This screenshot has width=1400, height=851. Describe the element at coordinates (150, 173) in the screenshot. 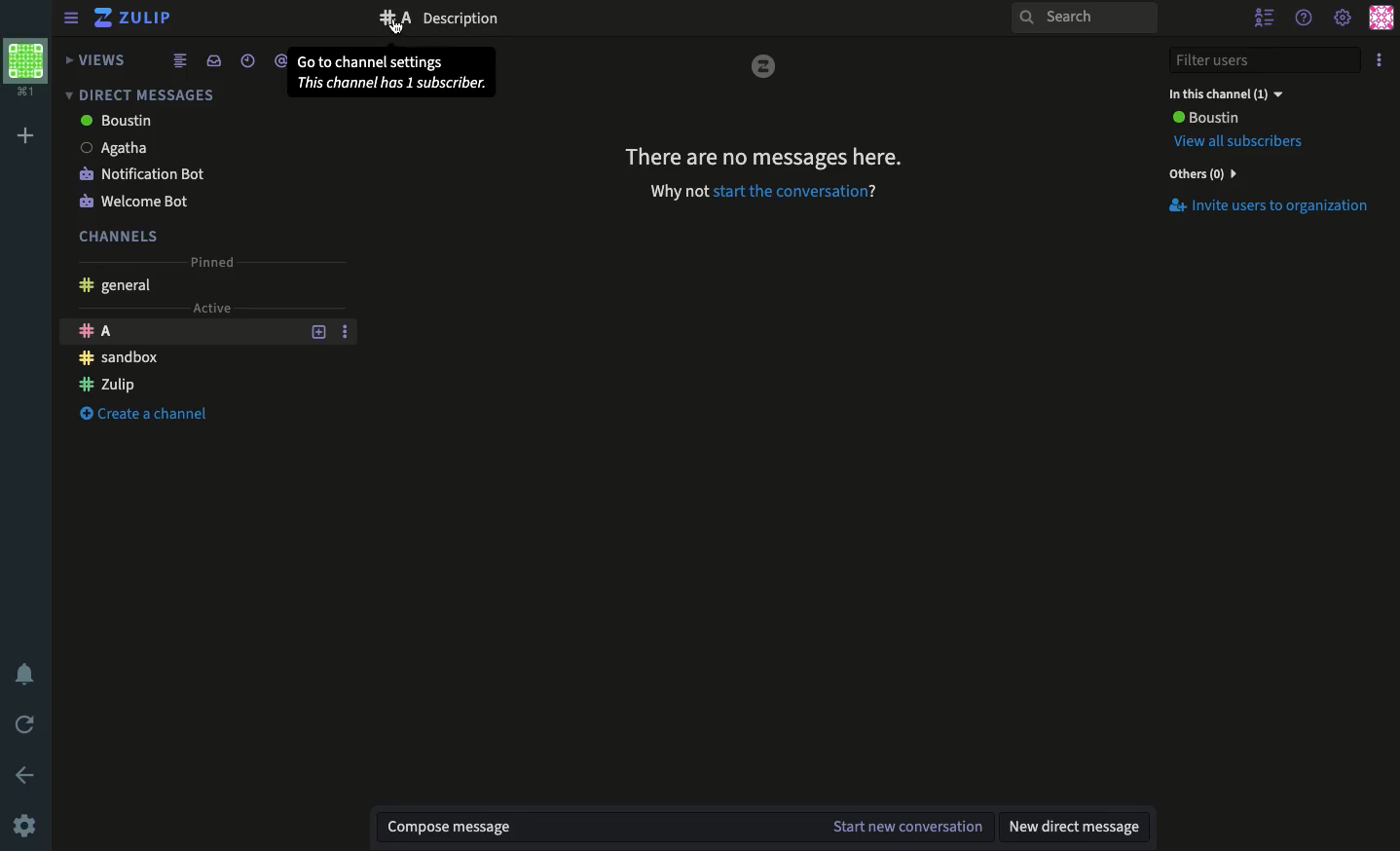

I see `Notification bot` at that location.